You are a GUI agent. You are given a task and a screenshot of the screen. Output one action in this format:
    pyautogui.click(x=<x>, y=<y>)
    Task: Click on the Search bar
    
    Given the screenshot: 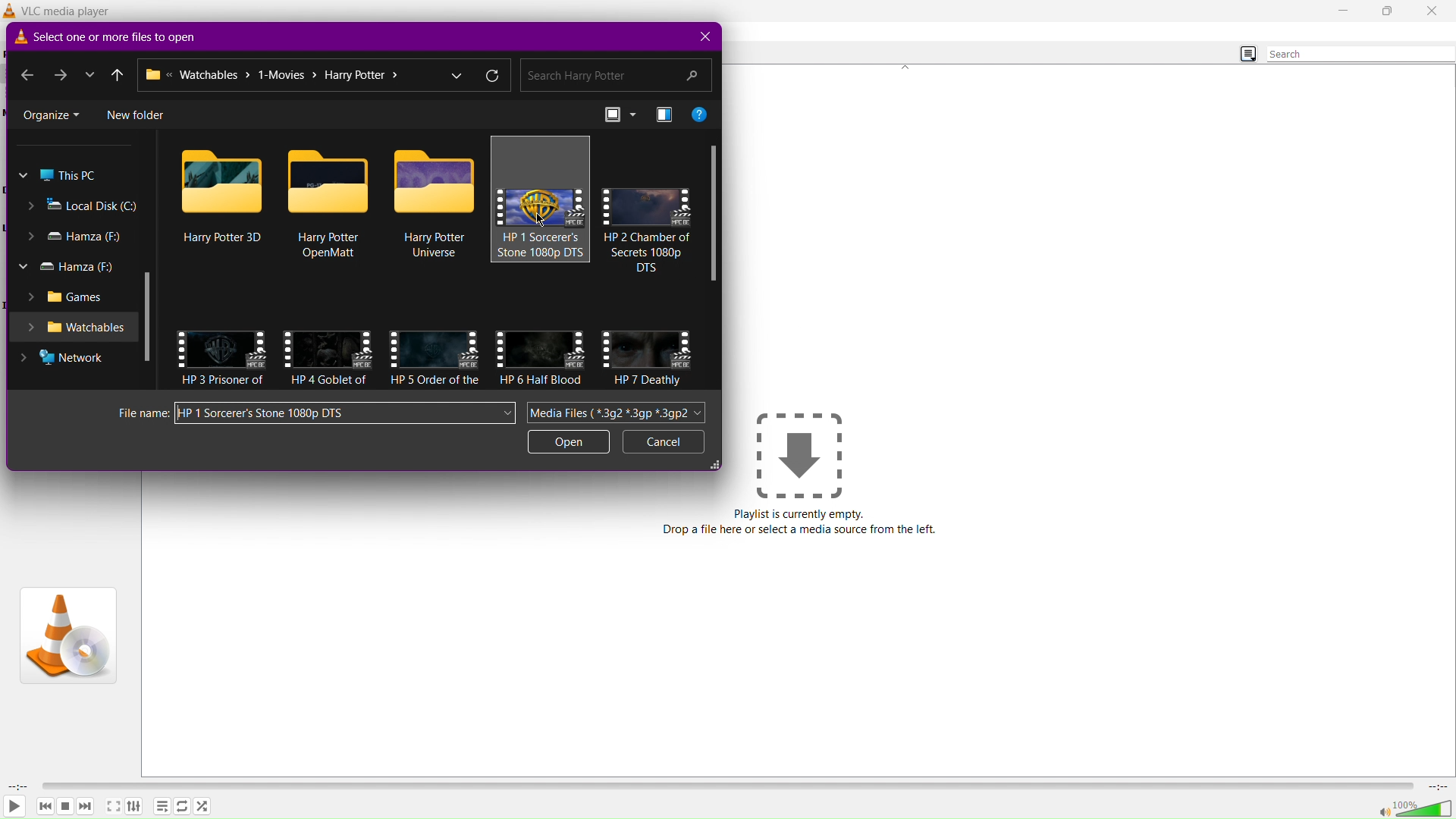 What is the action you would take?
    pyautogui.click(x=1360, y=54)
    